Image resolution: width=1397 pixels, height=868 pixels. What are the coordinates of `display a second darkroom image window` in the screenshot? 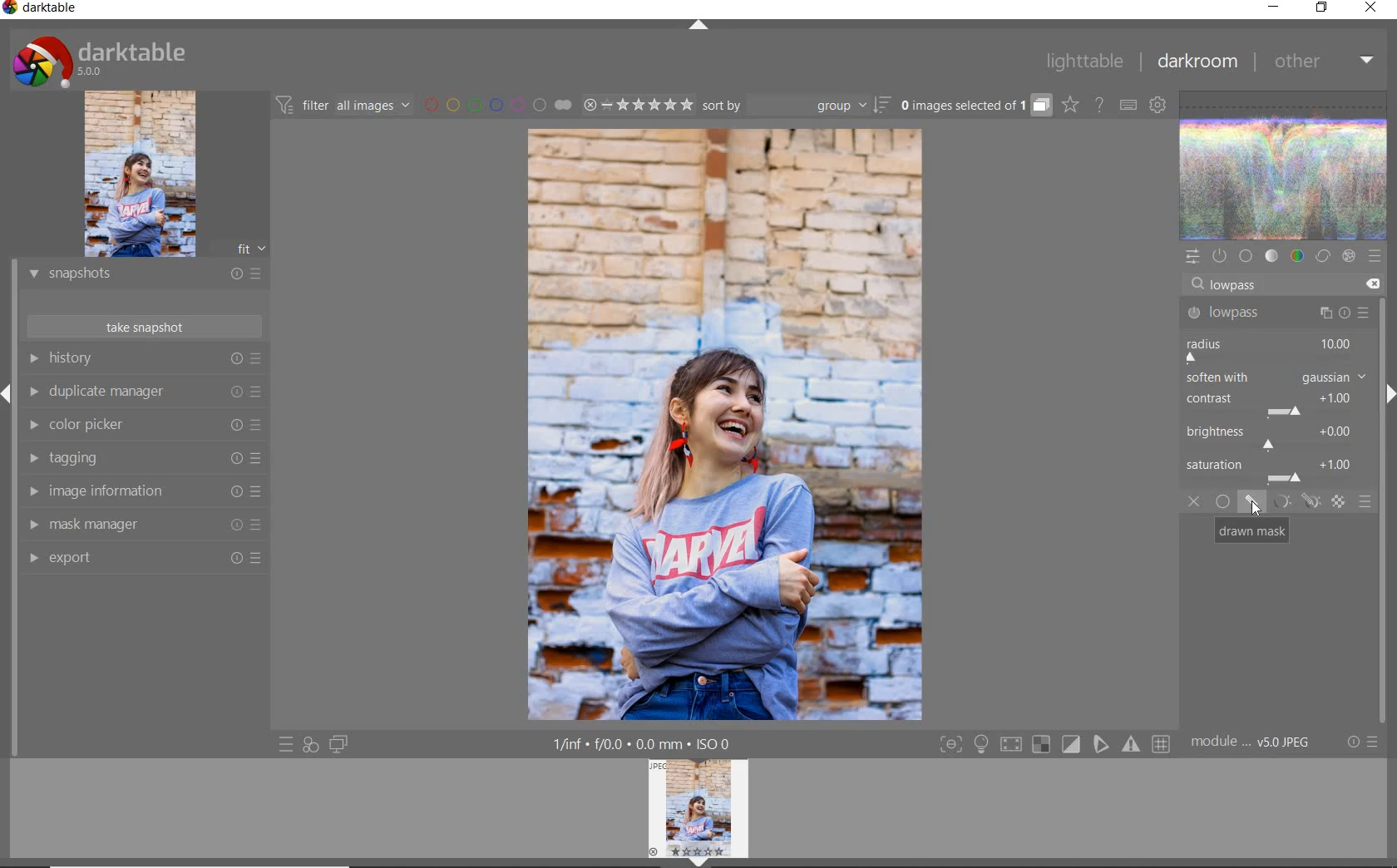 It's located at (339, 743).